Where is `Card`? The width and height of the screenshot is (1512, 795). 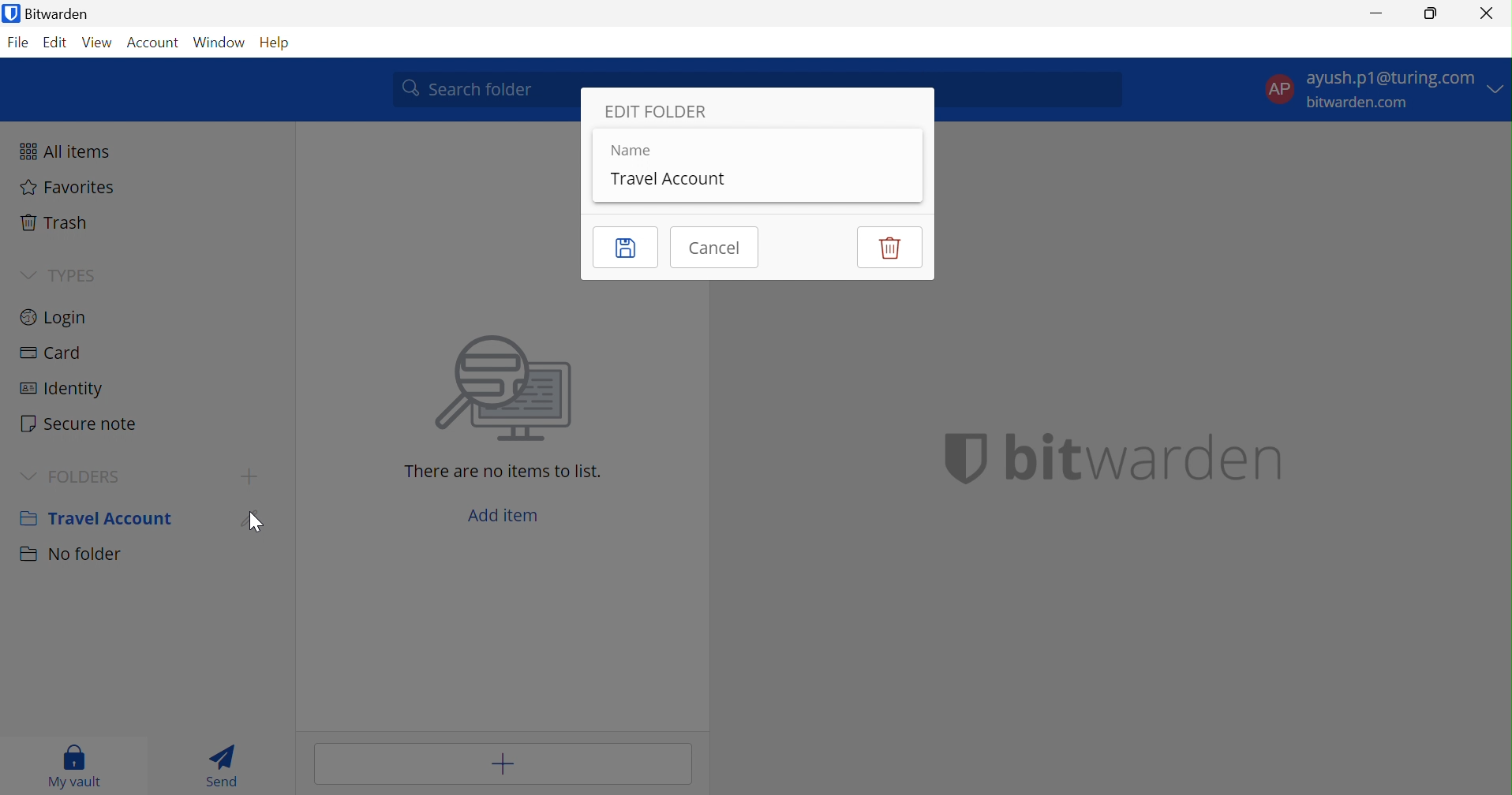 Card is located at coordinates (51, 353).